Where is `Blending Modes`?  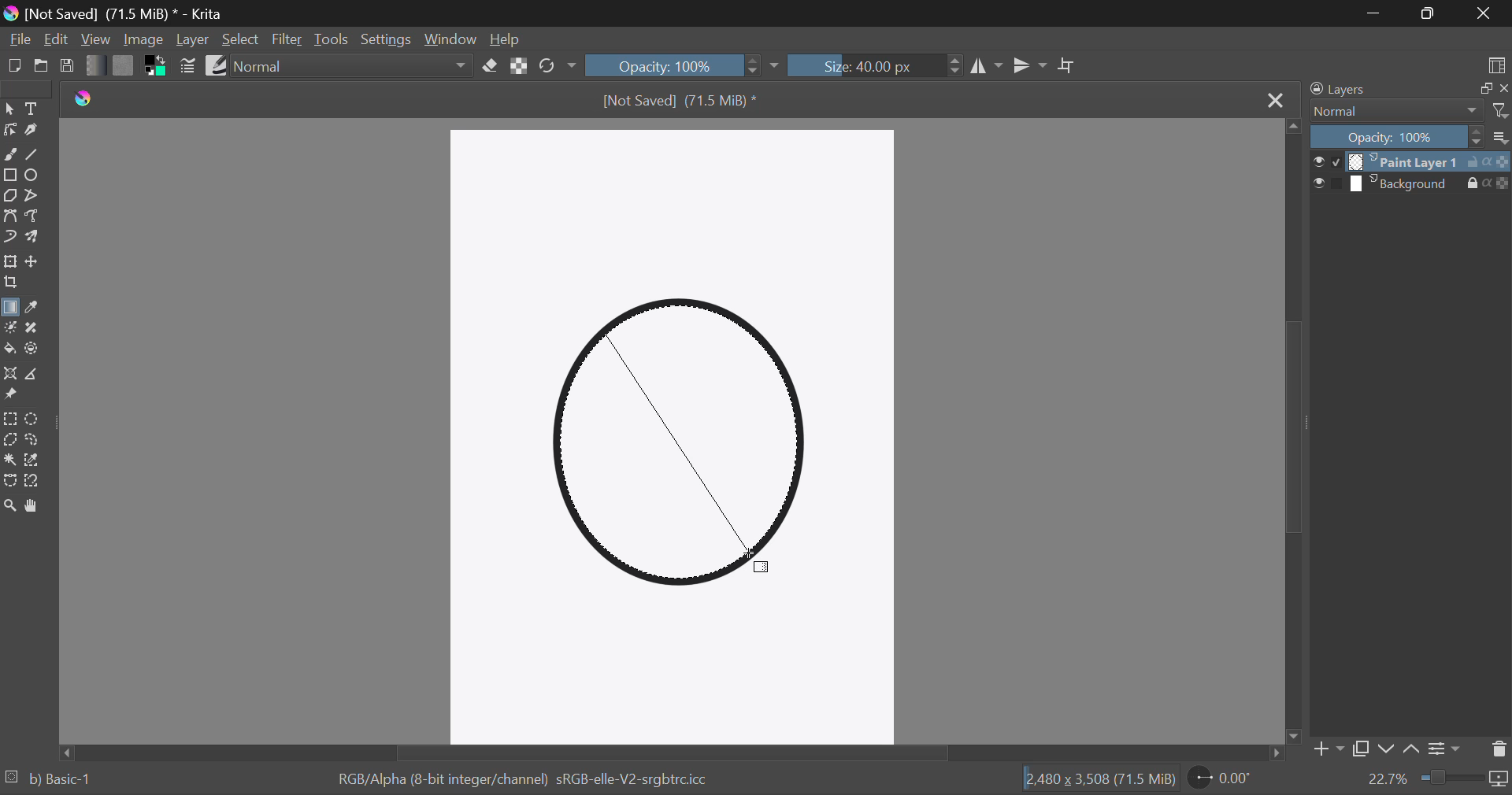
Blending Modes is located at coordinates (350, 65).